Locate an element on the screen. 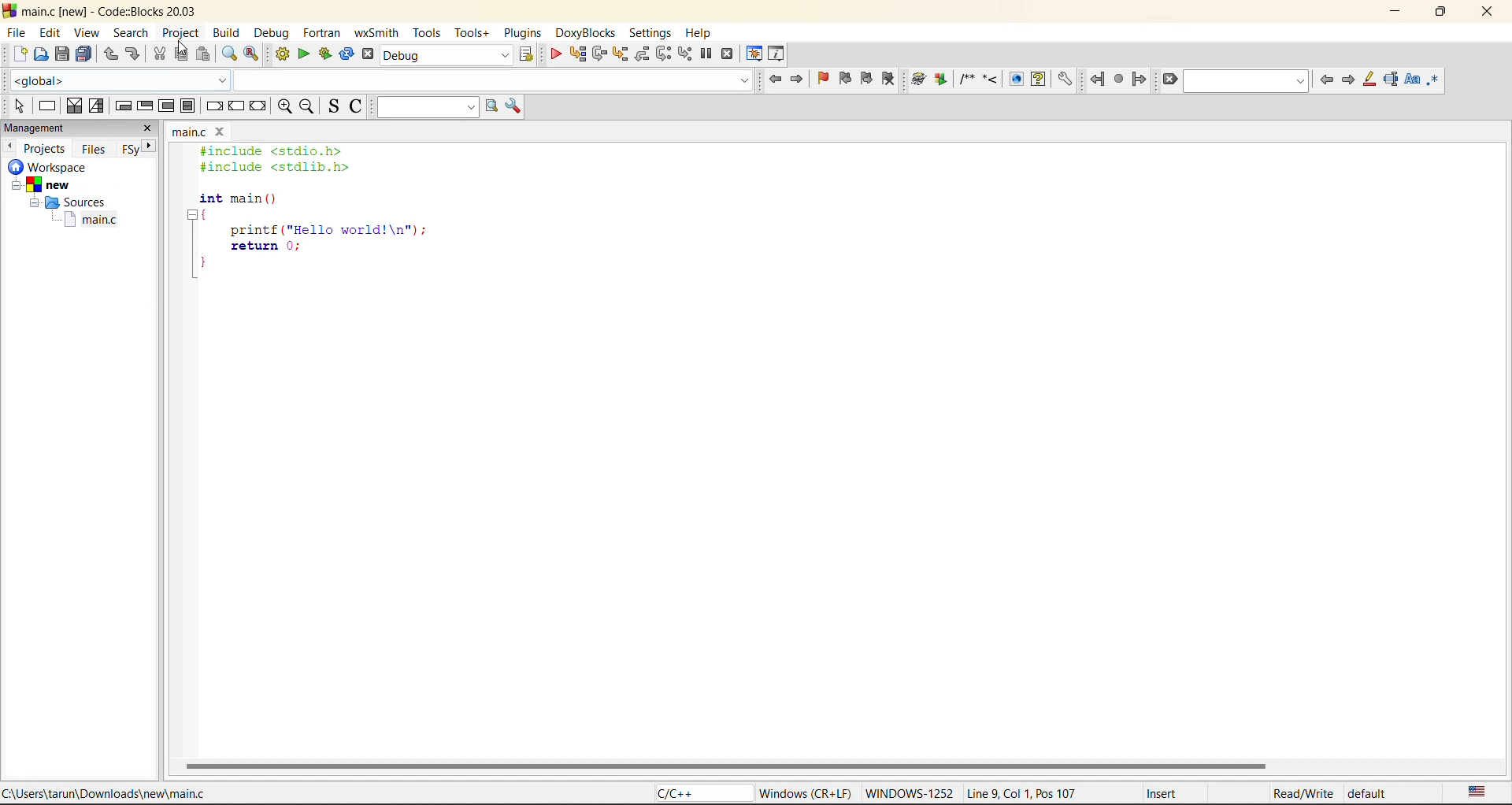 Image resolution: width=1512 pixels, height=805 pixels. close is located at coordinates (220, 132).